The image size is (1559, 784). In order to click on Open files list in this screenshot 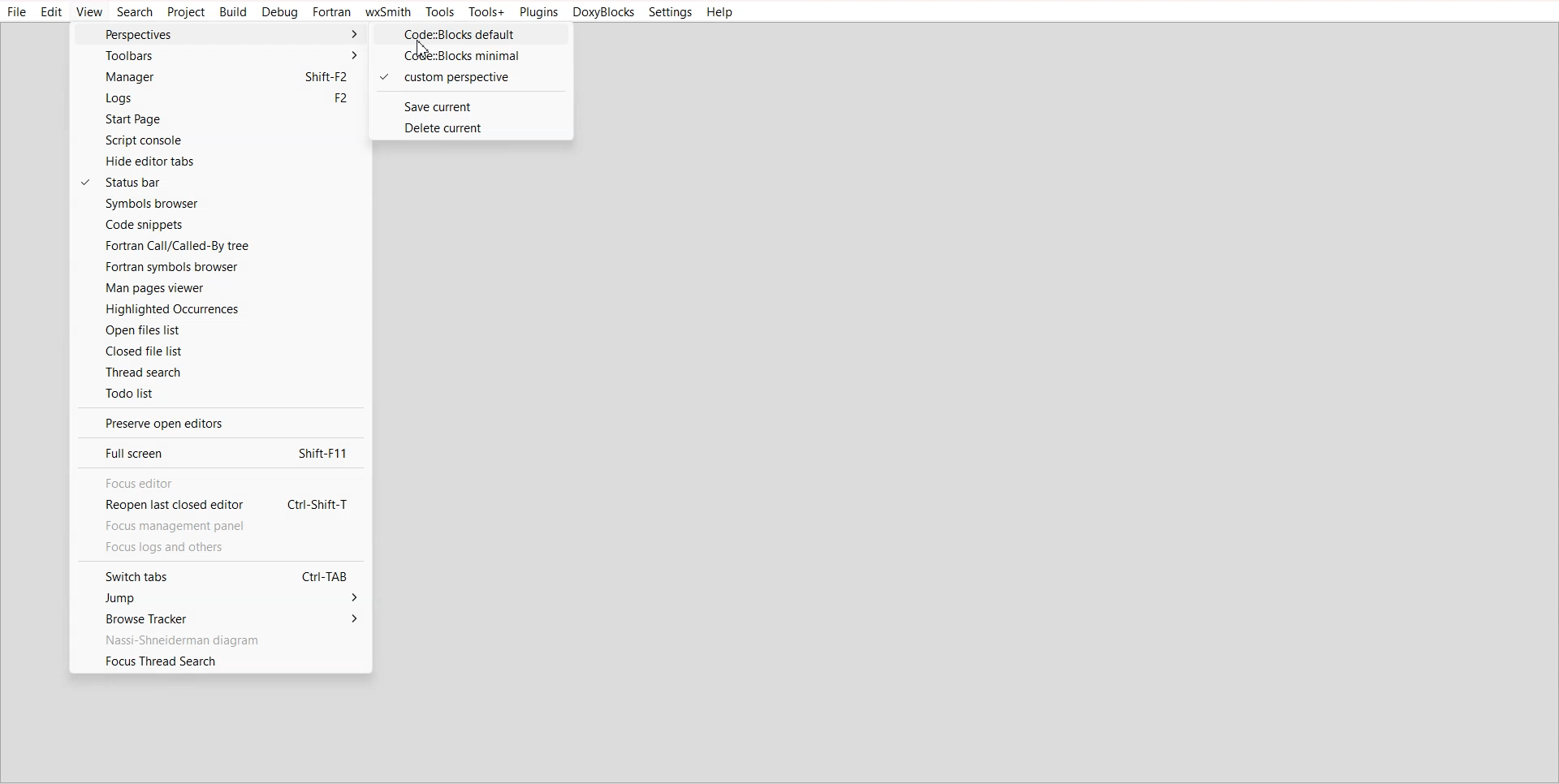, I will do `click(220, 330)`.